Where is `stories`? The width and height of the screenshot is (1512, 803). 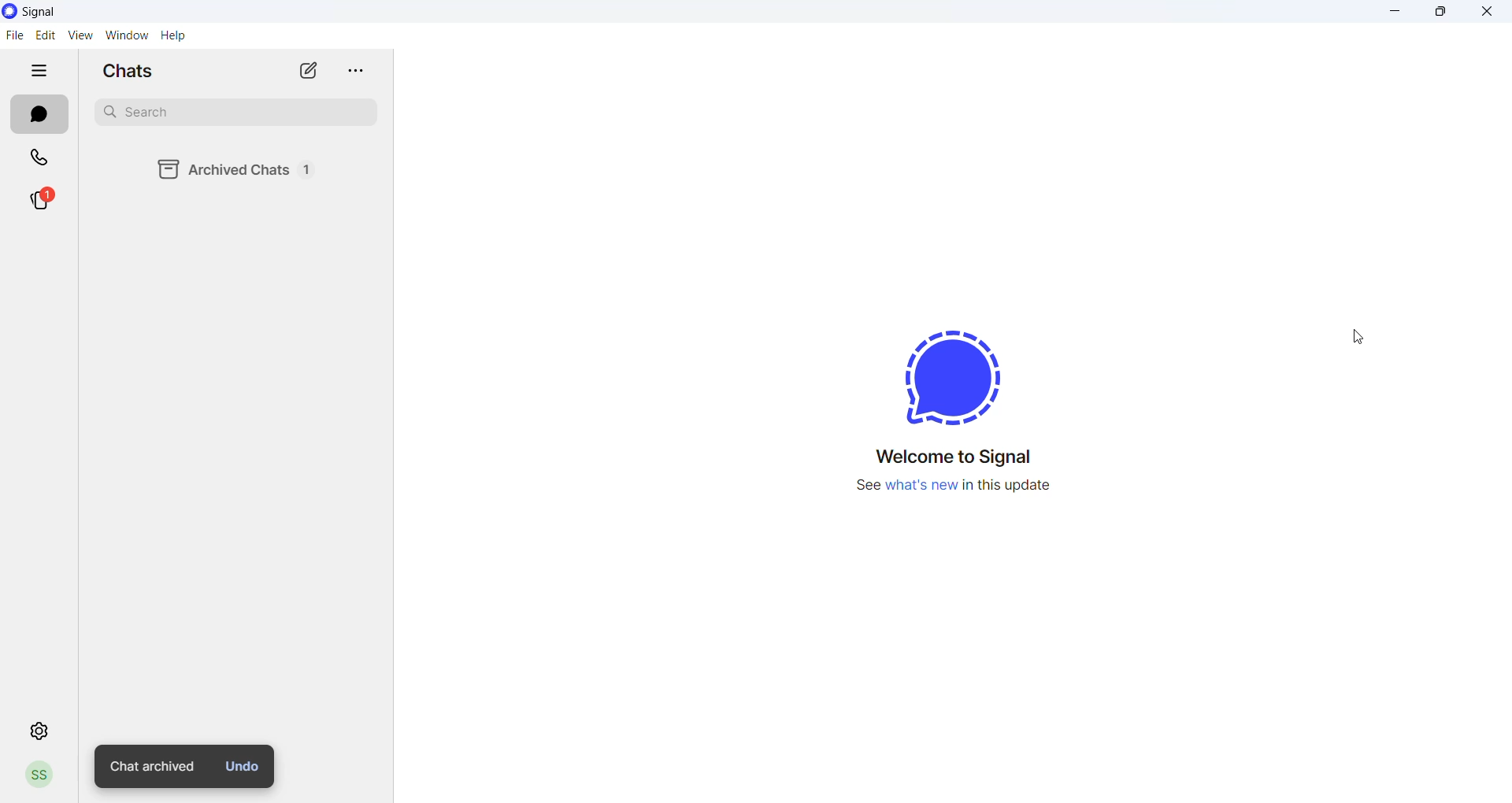
stories is located at coordinates (44, 198).